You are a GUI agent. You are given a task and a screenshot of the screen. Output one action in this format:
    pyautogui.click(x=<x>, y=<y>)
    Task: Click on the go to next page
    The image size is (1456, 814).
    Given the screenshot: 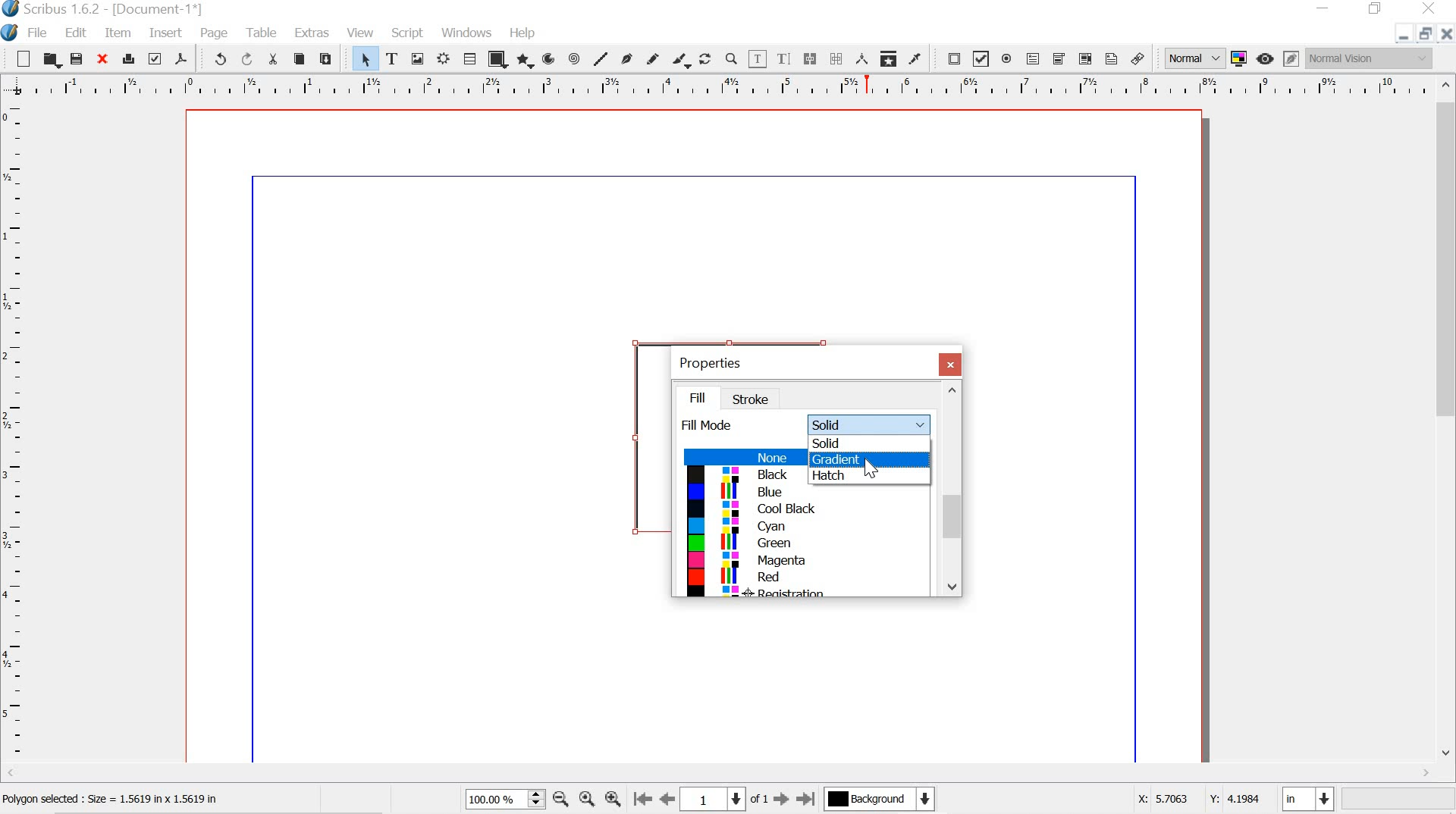 What is the action you would take?
    pyautogui.click(x=781, y=800)
    